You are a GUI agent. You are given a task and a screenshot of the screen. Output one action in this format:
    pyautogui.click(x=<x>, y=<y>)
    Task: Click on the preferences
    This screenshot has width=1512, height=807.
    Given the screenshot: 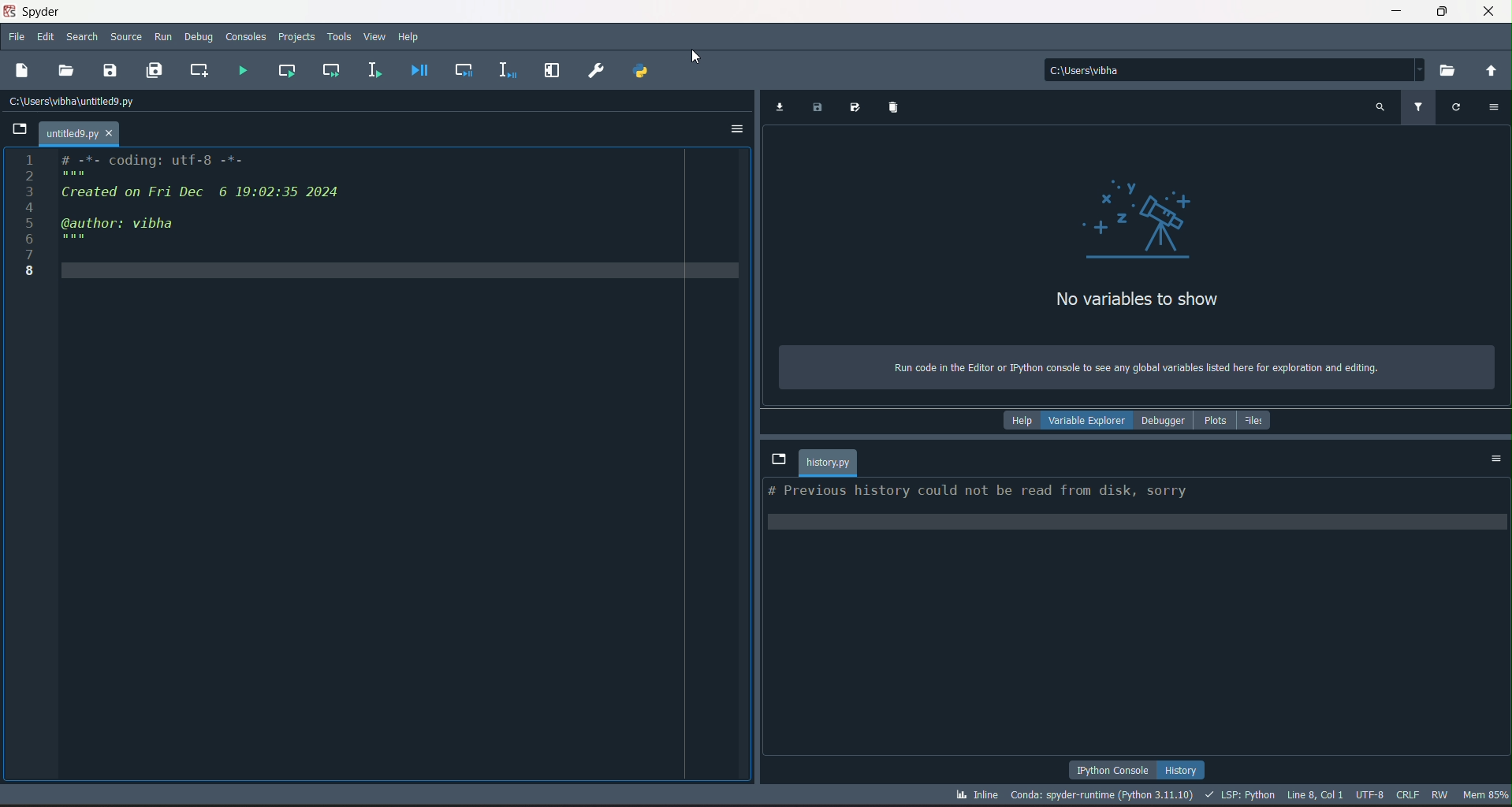 What is the action you would take?
    pyautogui.click(x=598, y=72)
    